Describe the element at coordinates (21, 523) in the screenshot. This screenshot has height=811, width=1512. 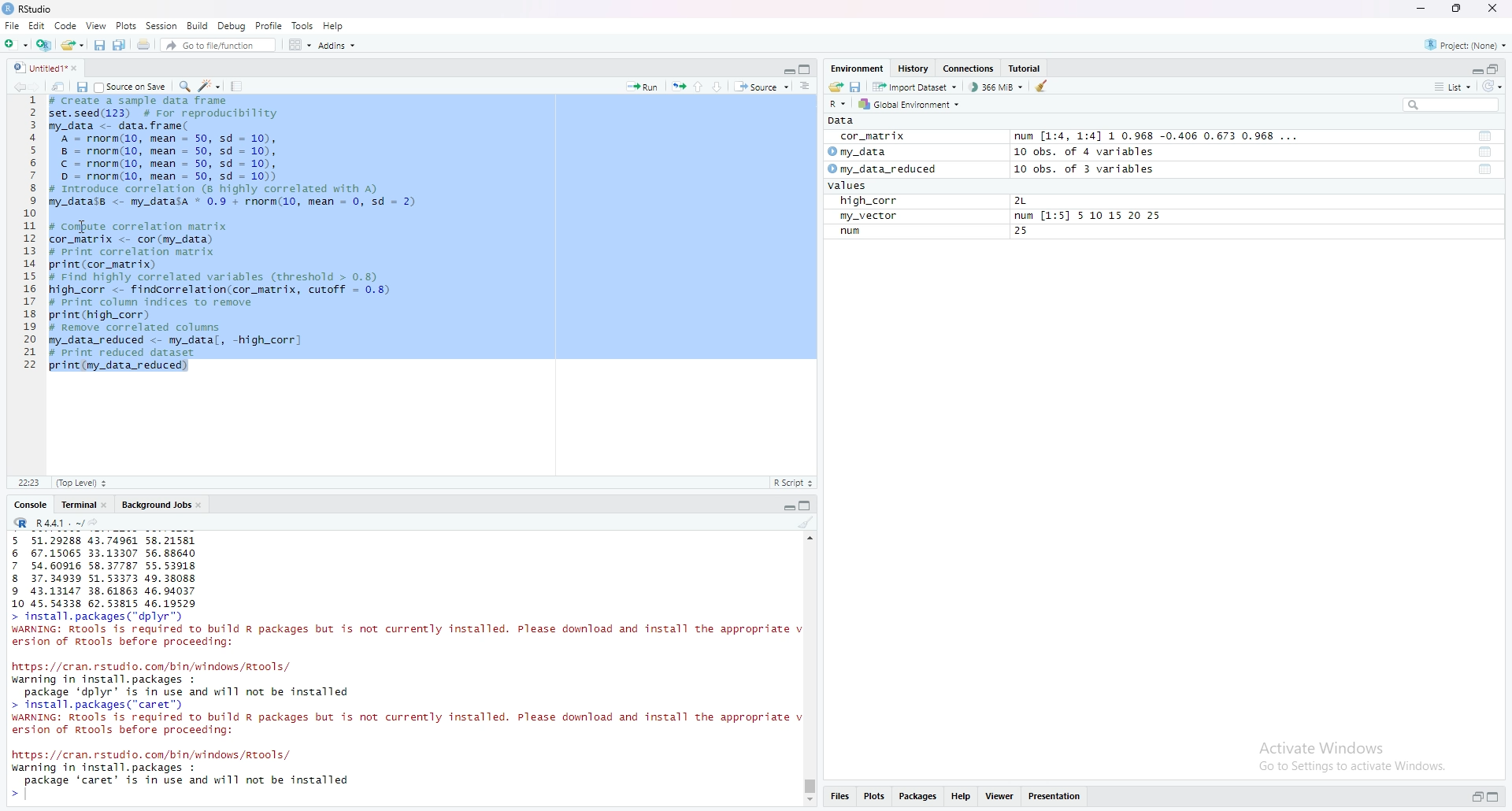
I see `R` at that location.